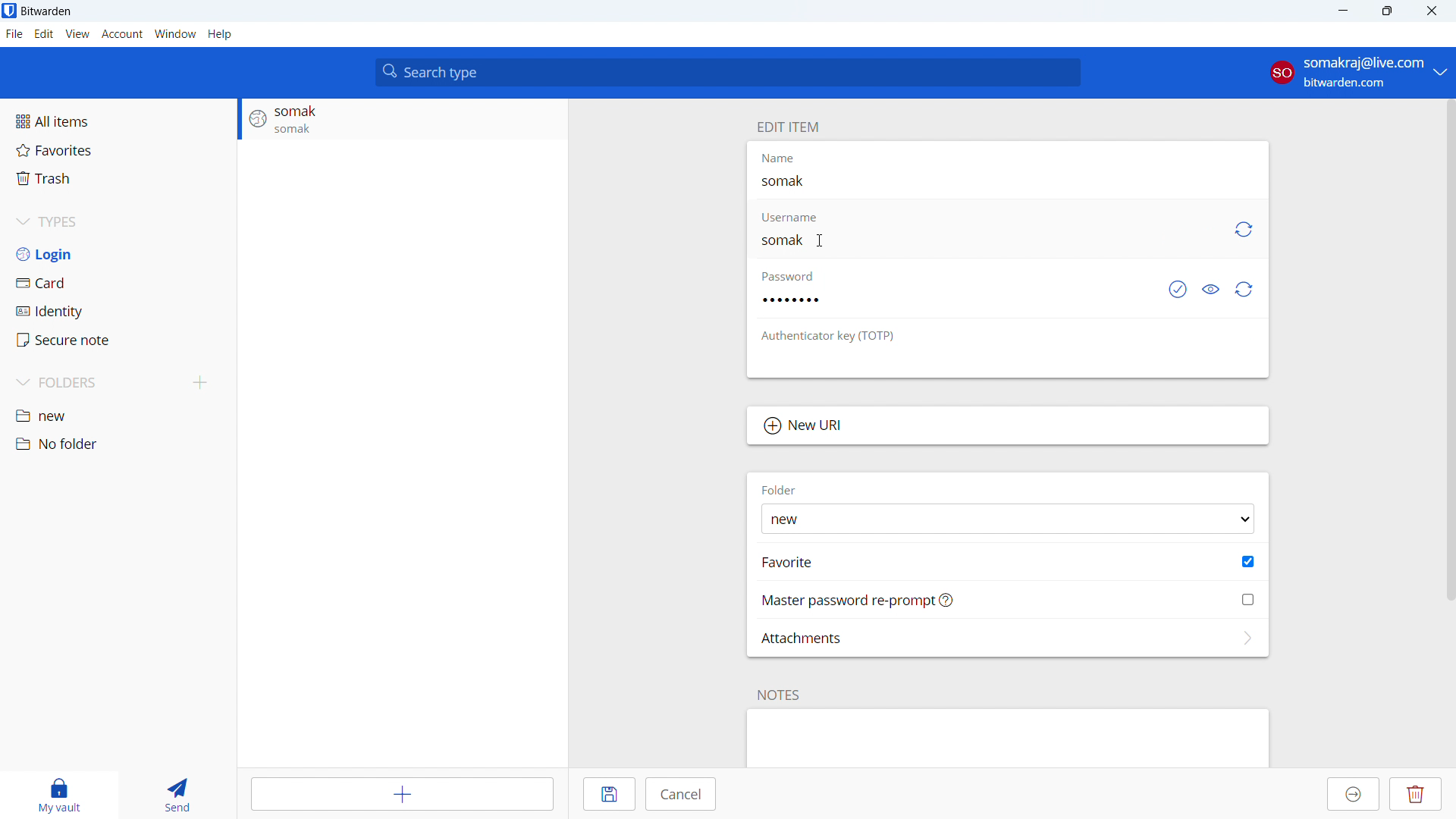  Describe the element at coordinates (610, 795) in the screenshot. I see `save` at that location.